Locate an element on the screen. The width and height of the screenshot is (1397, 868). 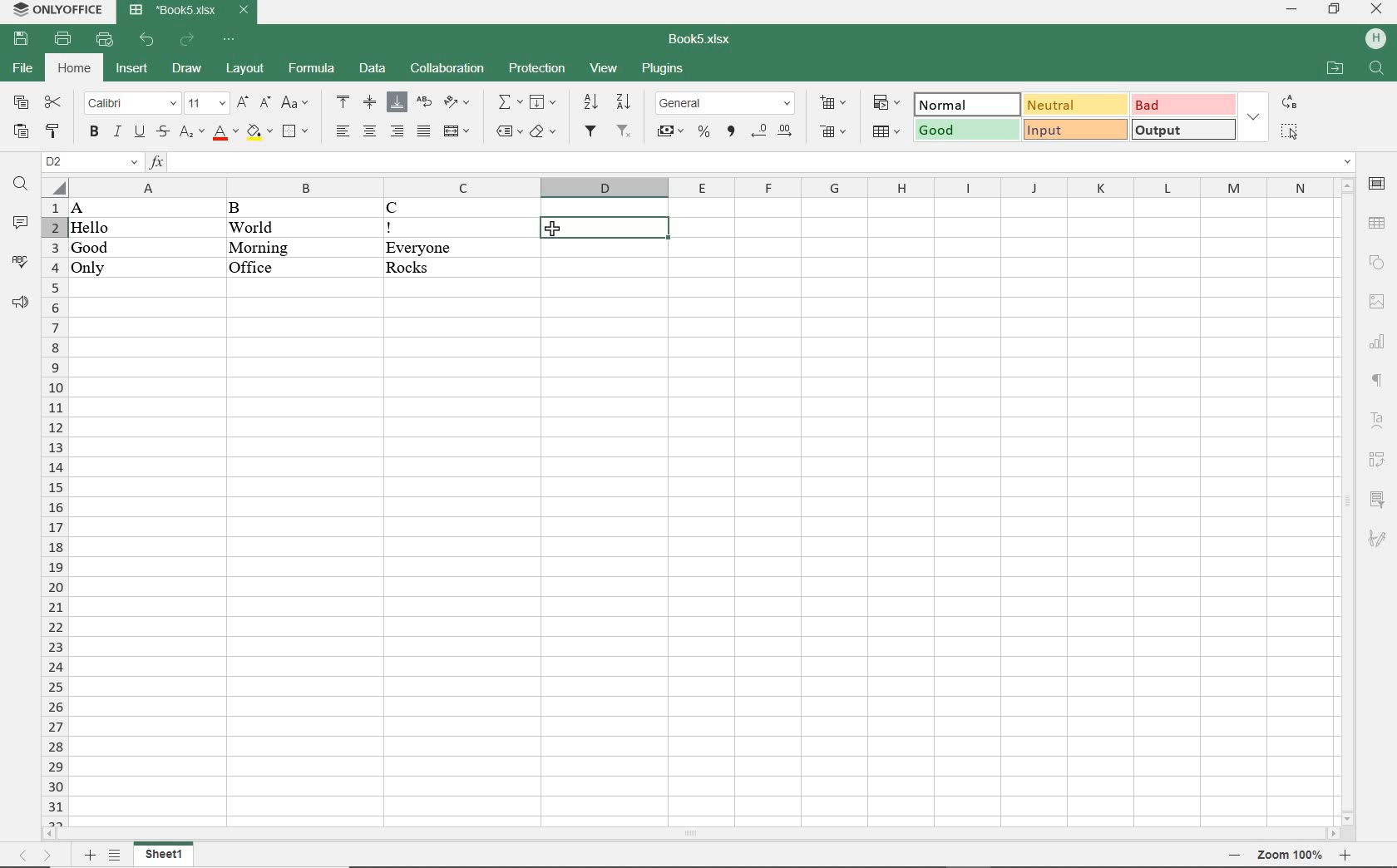
align middle is located at coordinates (370, 104).